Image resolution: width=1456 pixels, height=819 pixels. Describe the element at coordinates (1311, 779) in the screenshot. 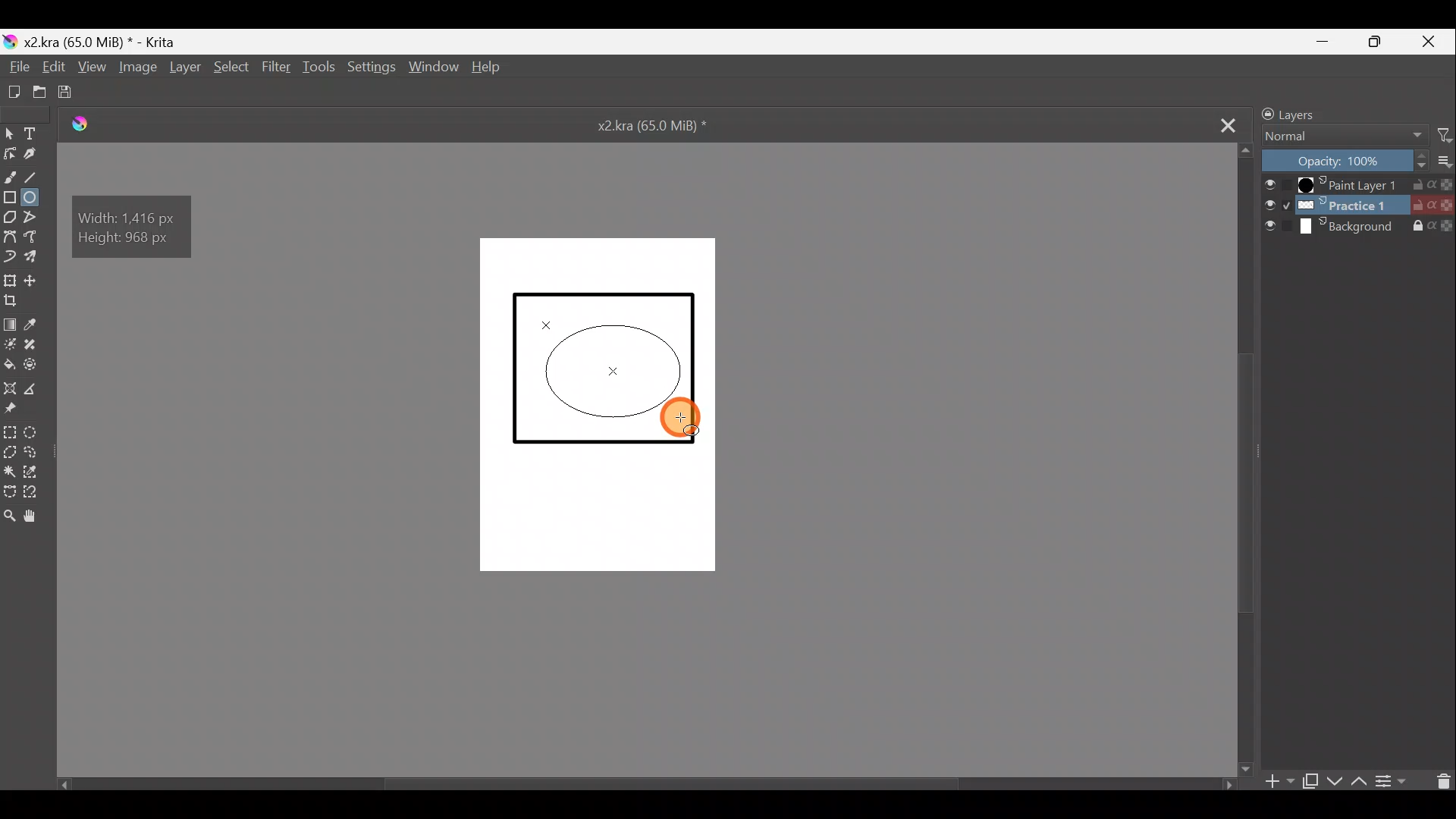

I see `Duplicate layer` at that location.